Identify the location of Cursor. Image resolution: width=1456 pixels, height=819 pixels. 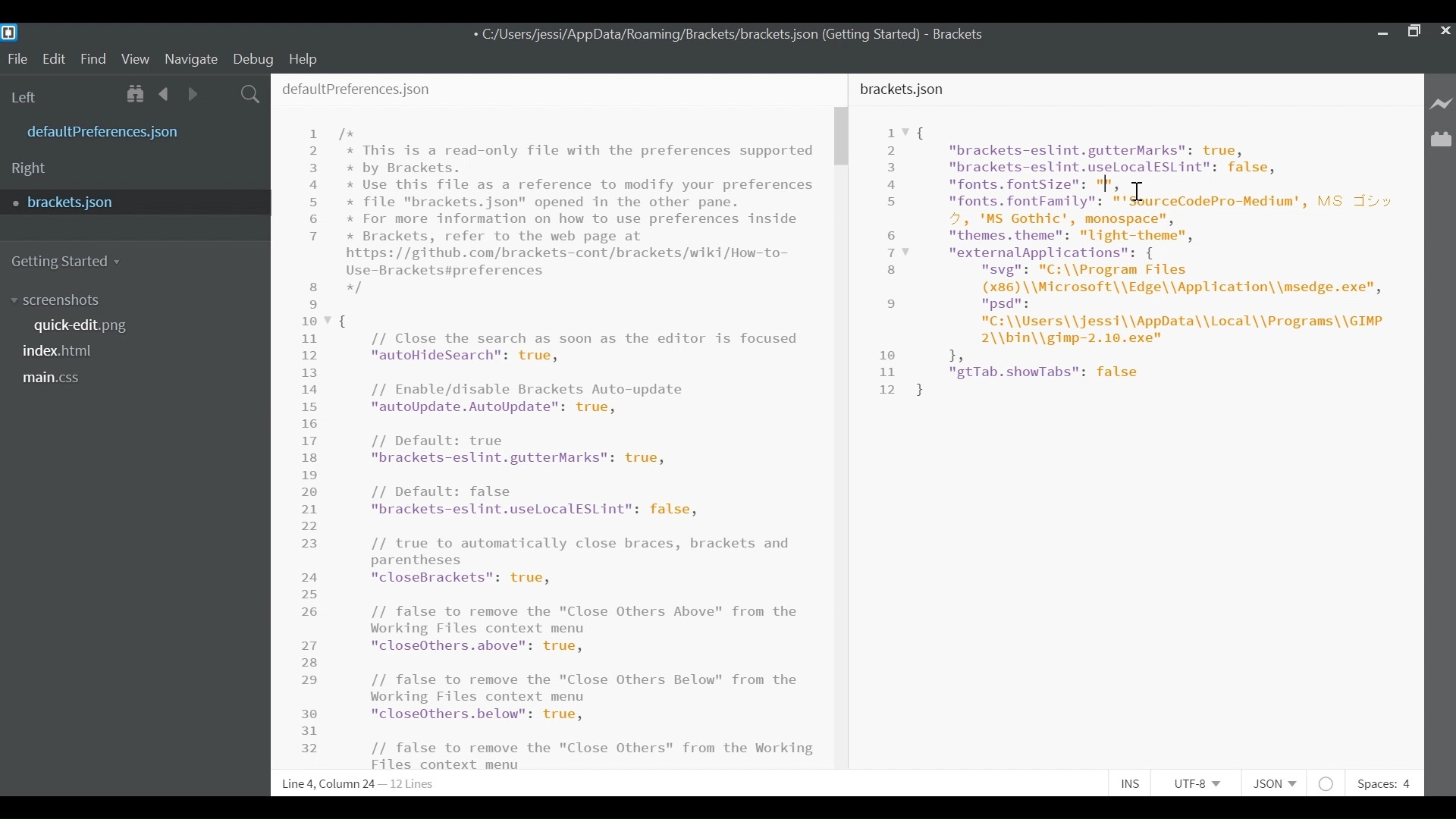
(1141, 187).